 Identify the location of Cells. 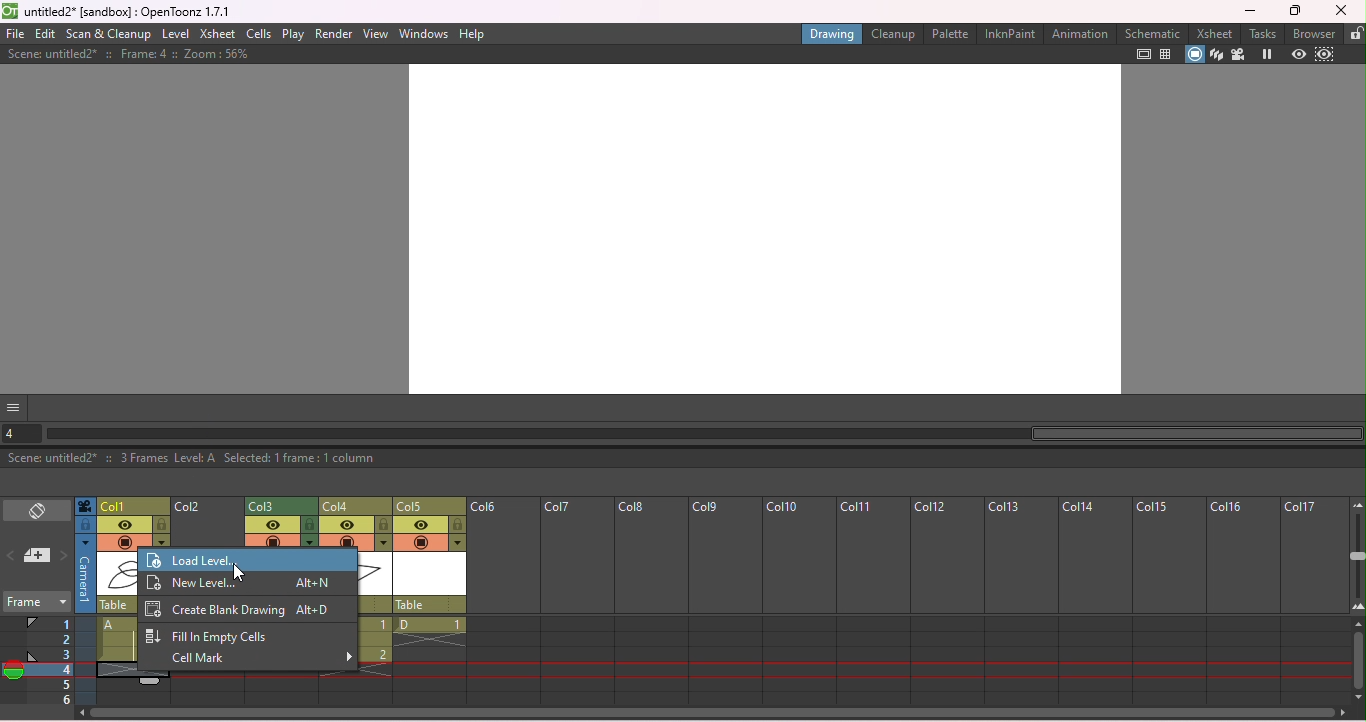
(258, 33).